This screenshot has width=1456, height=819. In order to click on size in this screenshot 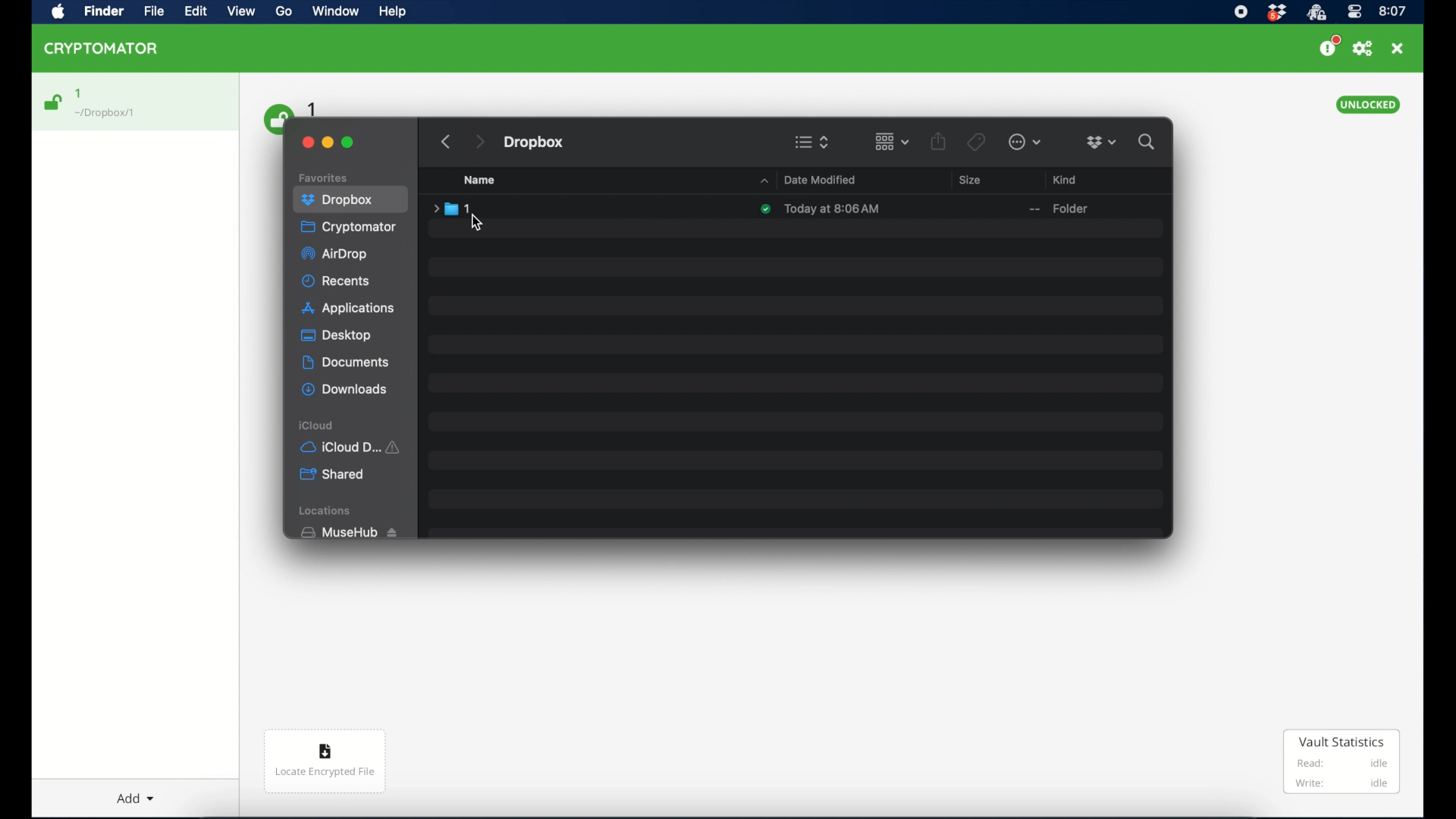, I will do `click(971, 179)`.